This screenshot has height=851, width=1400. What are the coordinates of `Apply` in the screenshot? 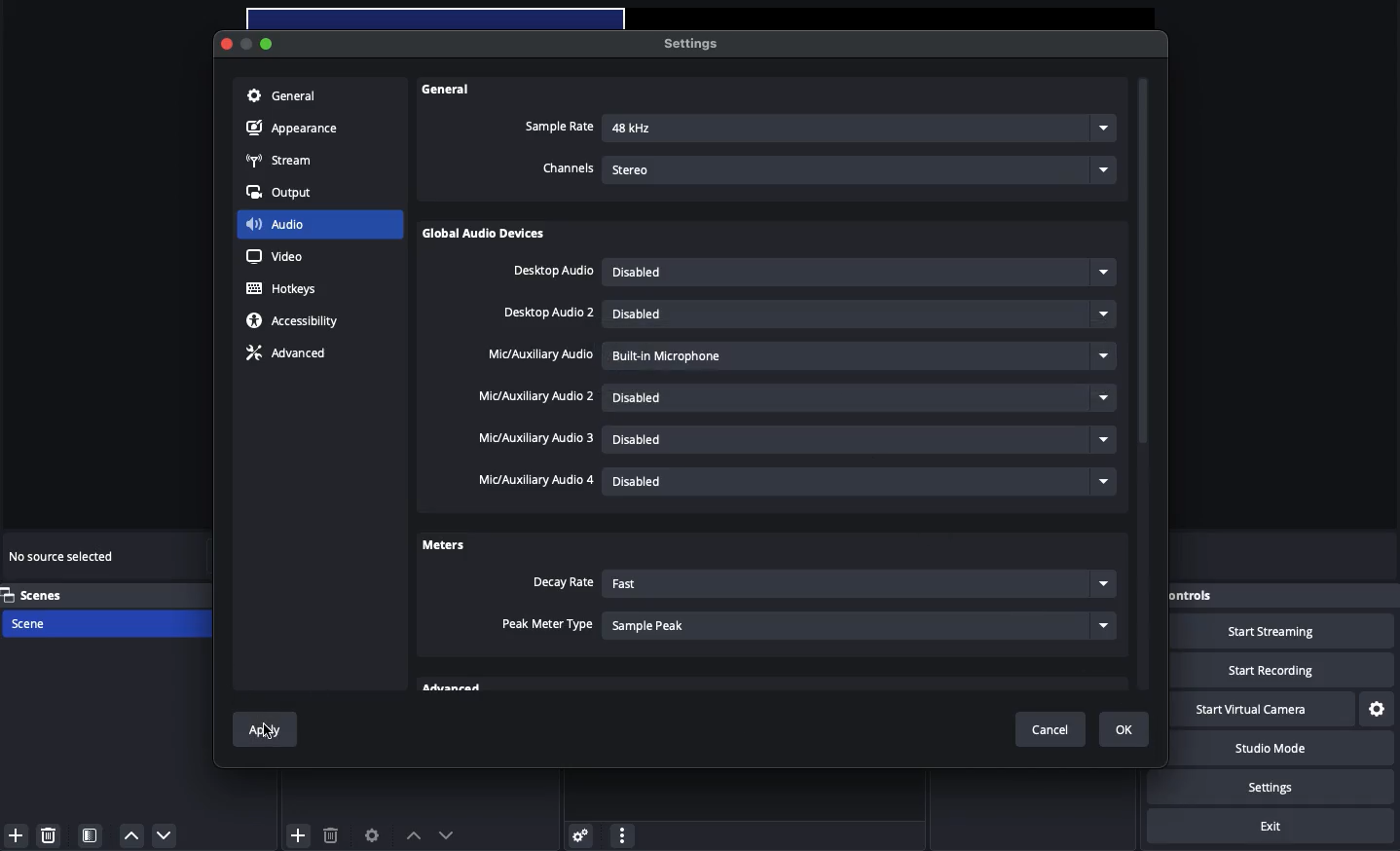 It's located at (269, 734).